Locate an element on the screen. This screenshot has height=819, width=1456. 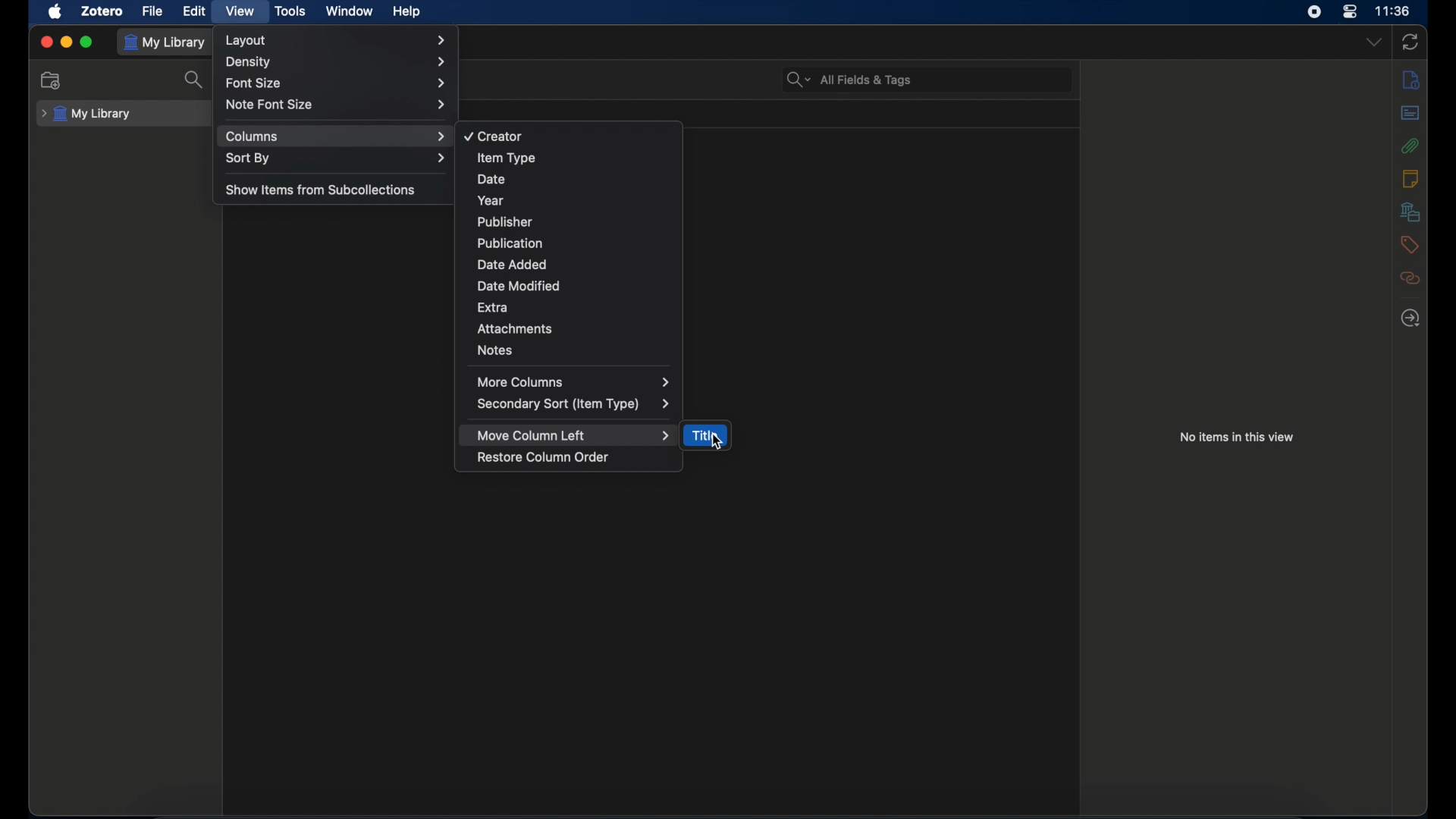
date is located at coordinates (491, 179).